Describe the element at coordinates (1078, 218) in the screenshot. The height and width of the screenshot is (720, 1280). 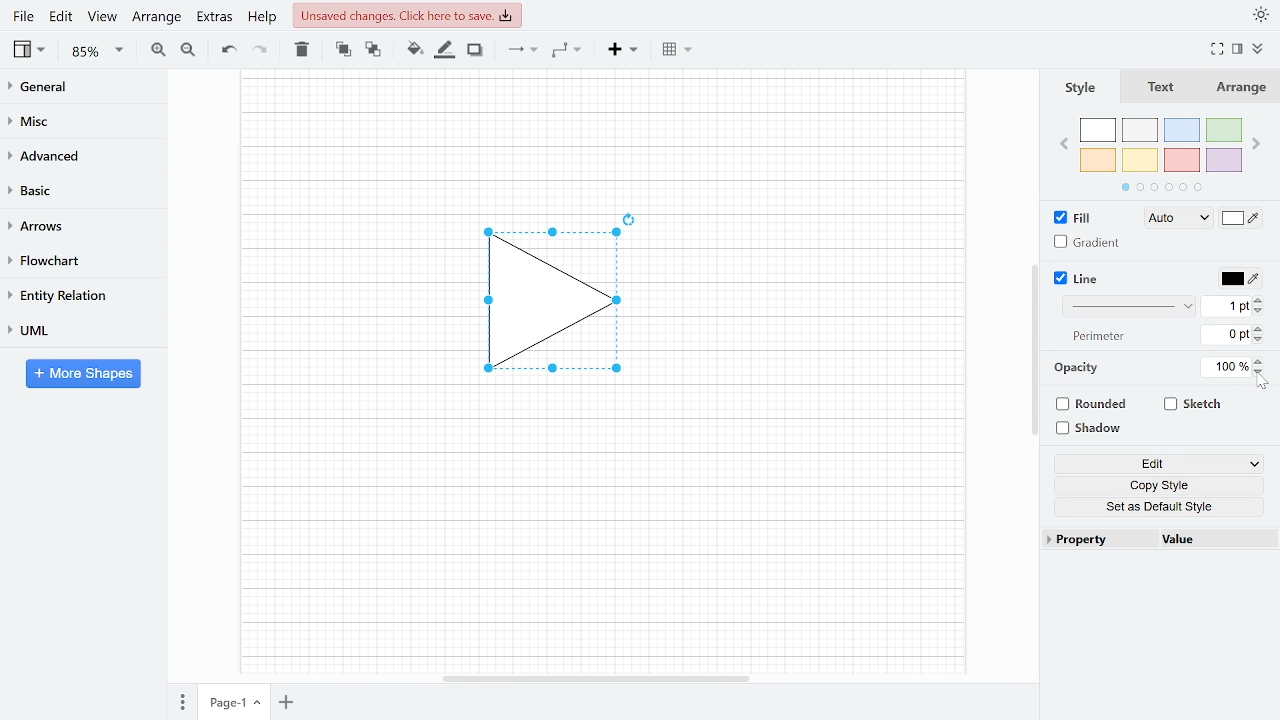
I see `Fill` at that location.